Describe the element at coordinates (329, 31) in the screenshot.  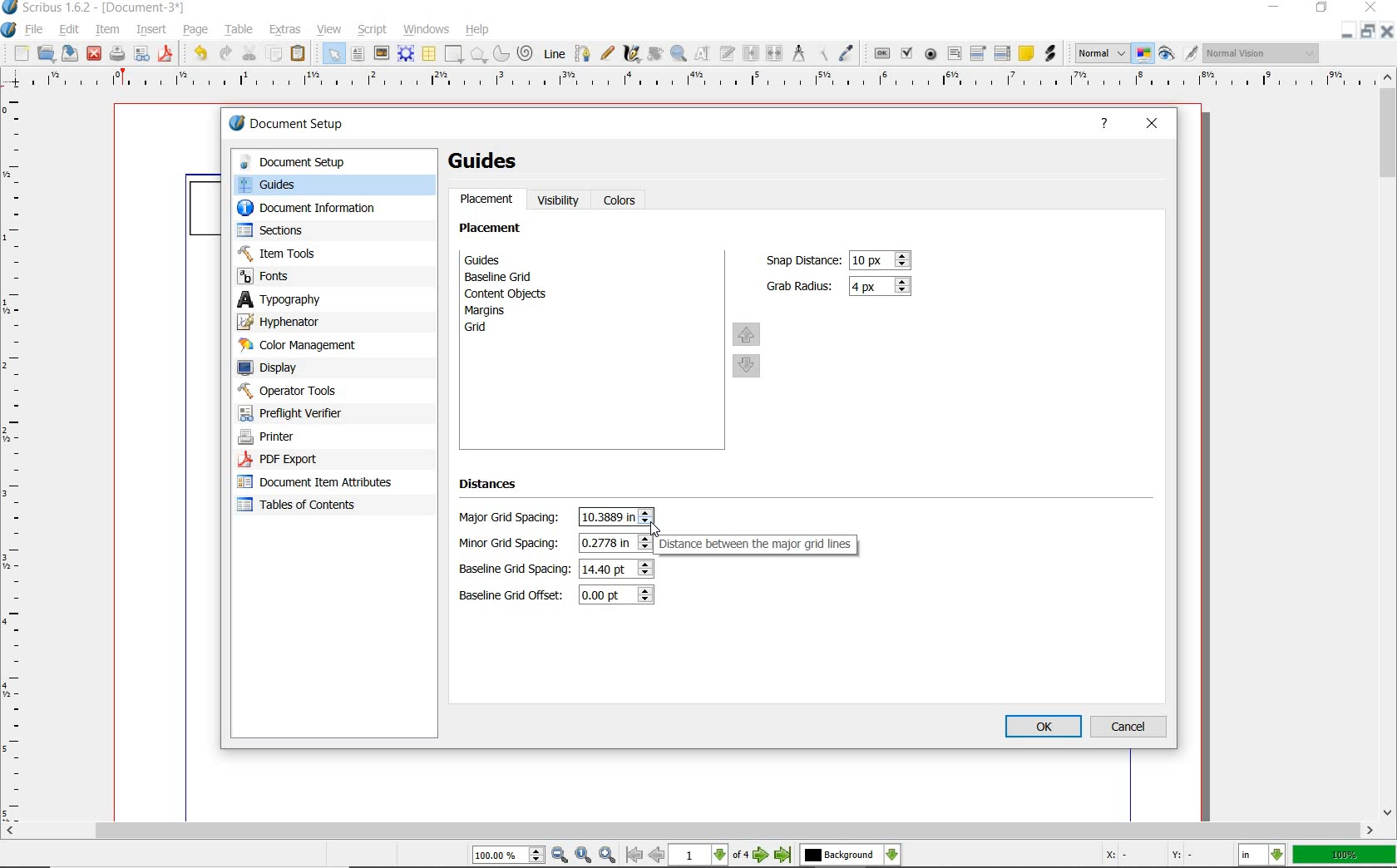
I see `view` at that location.